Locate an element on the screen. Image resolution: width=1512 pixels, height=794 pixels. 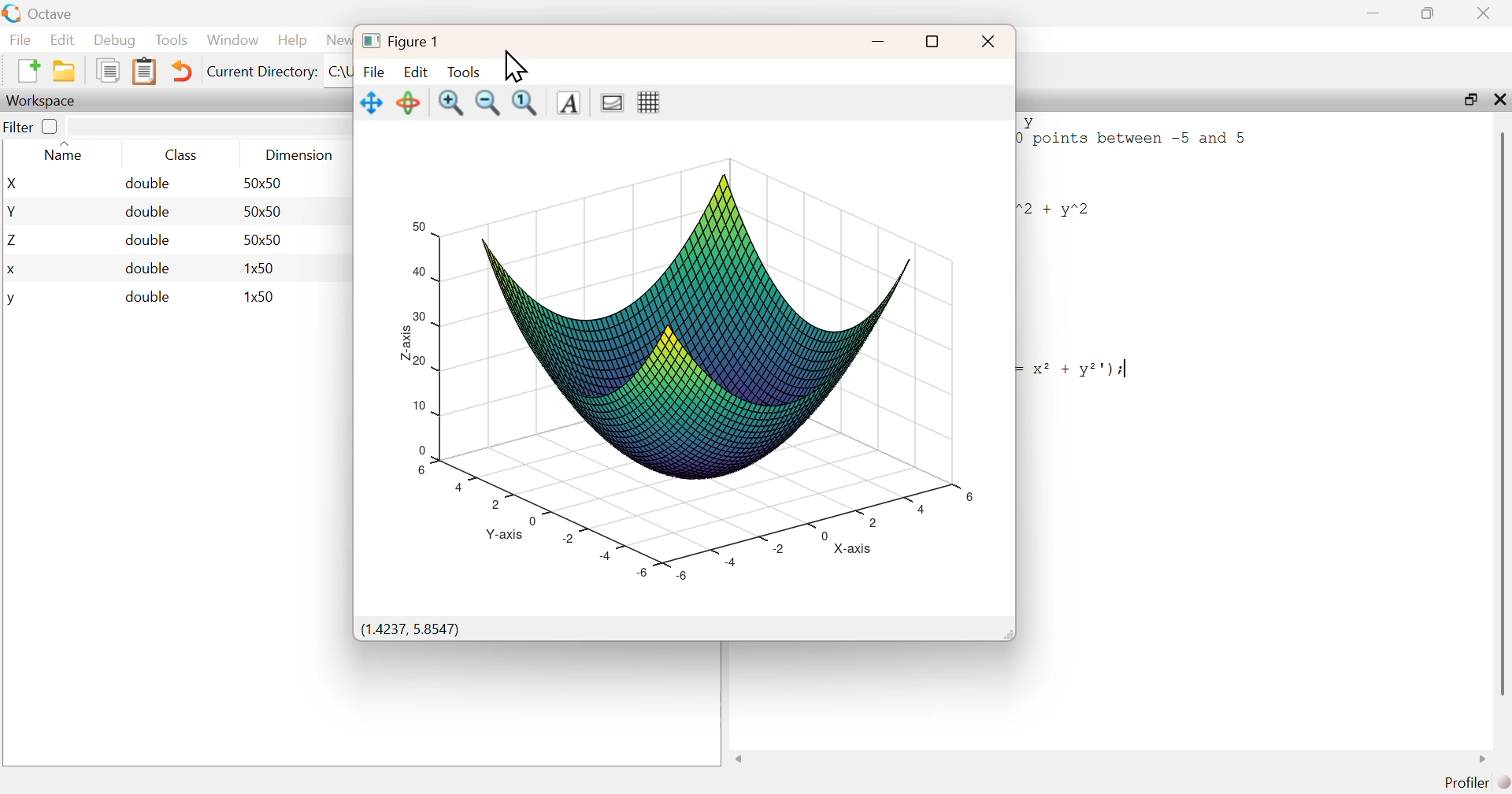
Tools is located at coordinates (172, 39).